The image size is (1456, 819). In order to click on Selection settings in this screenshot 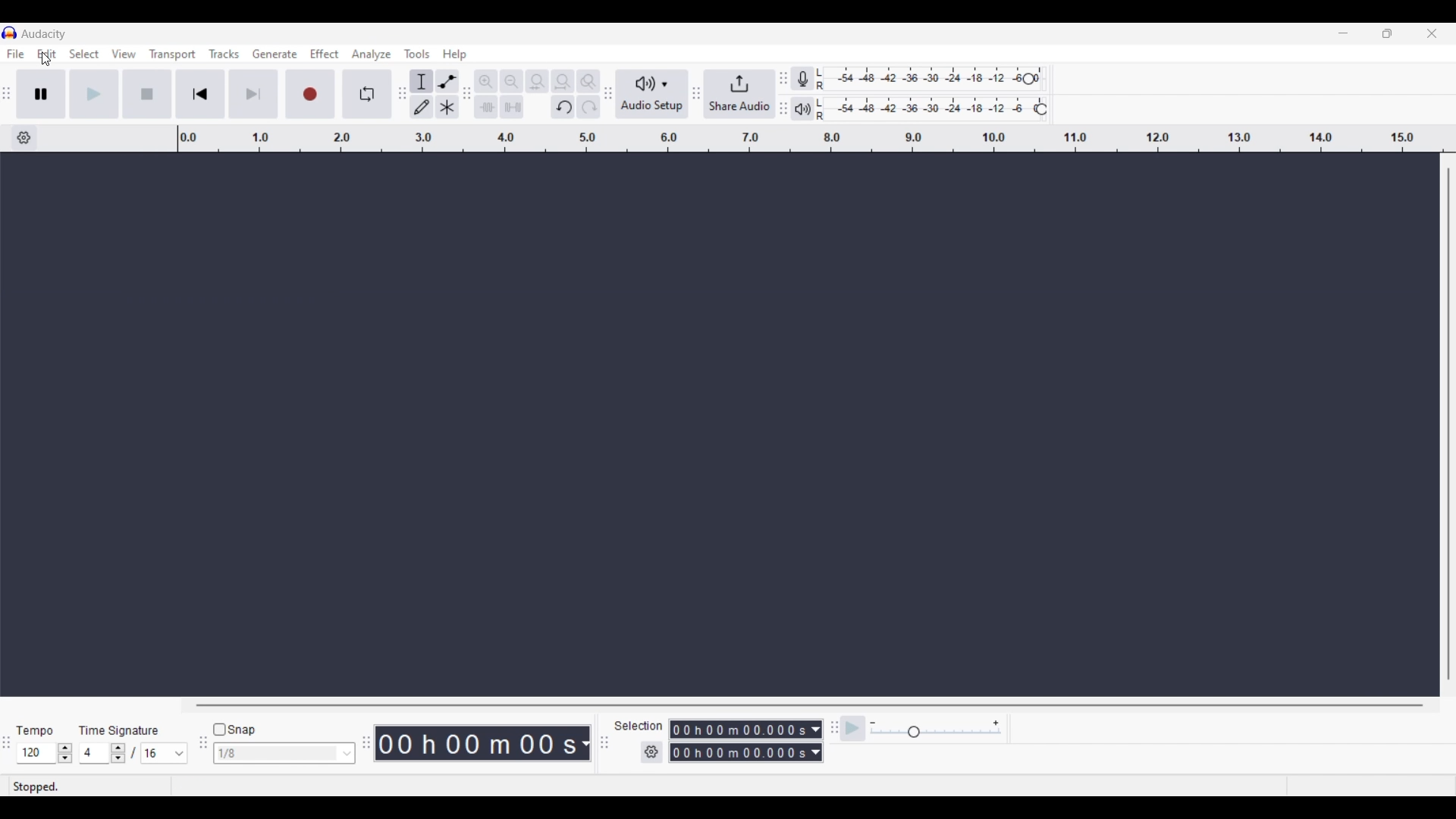, I will do `click(652, 752)`.